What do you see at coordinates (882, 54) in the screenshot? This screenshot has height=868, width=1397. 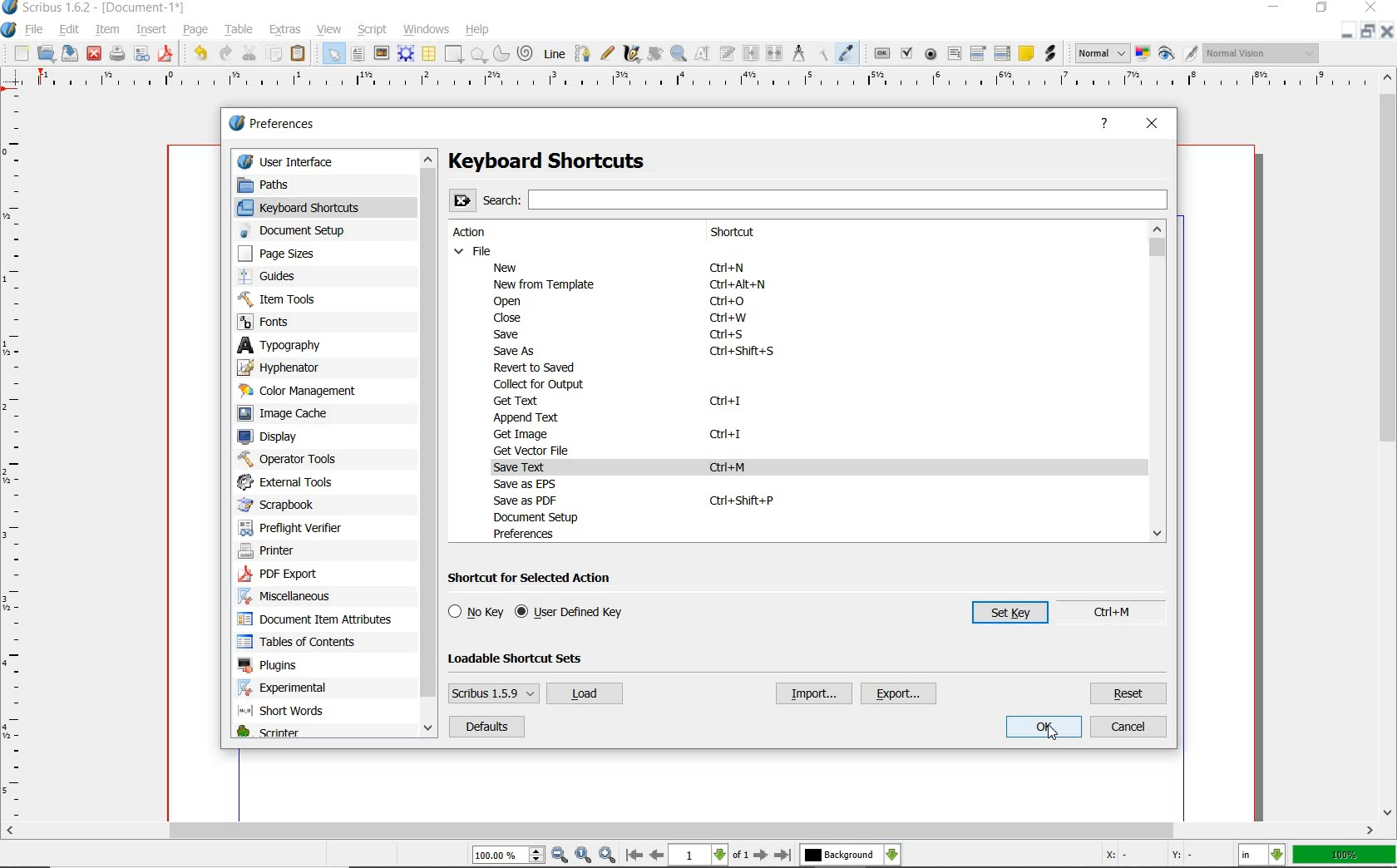 I see `pdf push button` at bounding box center [882, 54].